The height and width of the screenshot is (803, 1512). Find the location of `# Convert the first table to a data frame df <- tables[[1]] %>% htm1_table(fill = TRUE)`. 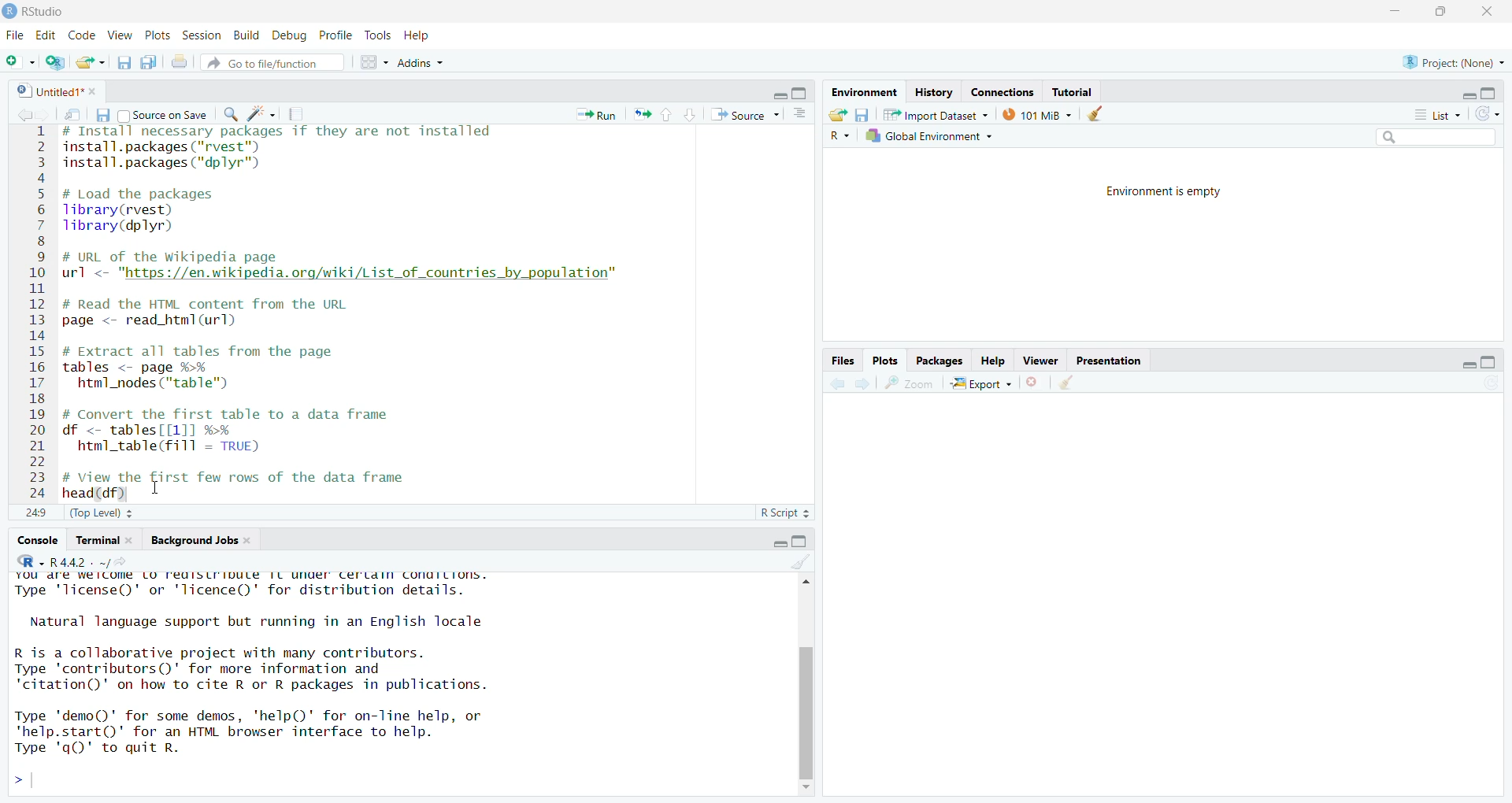

# Convert the first table to a data frame df <- tables[[1]] %>% htm1_table(fill = TRUE) is located at coordinates (249, 433).